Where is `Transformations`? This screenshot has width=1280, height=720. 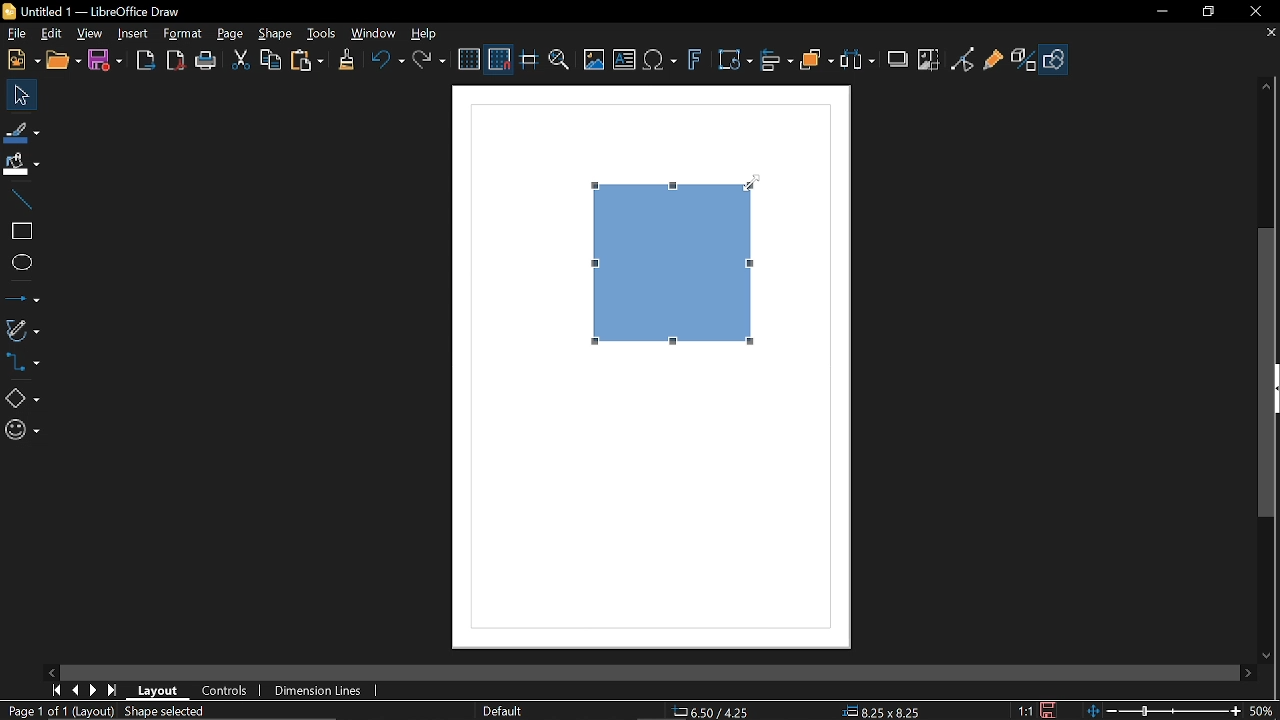
Transformations is located at coordinates (735, 61).